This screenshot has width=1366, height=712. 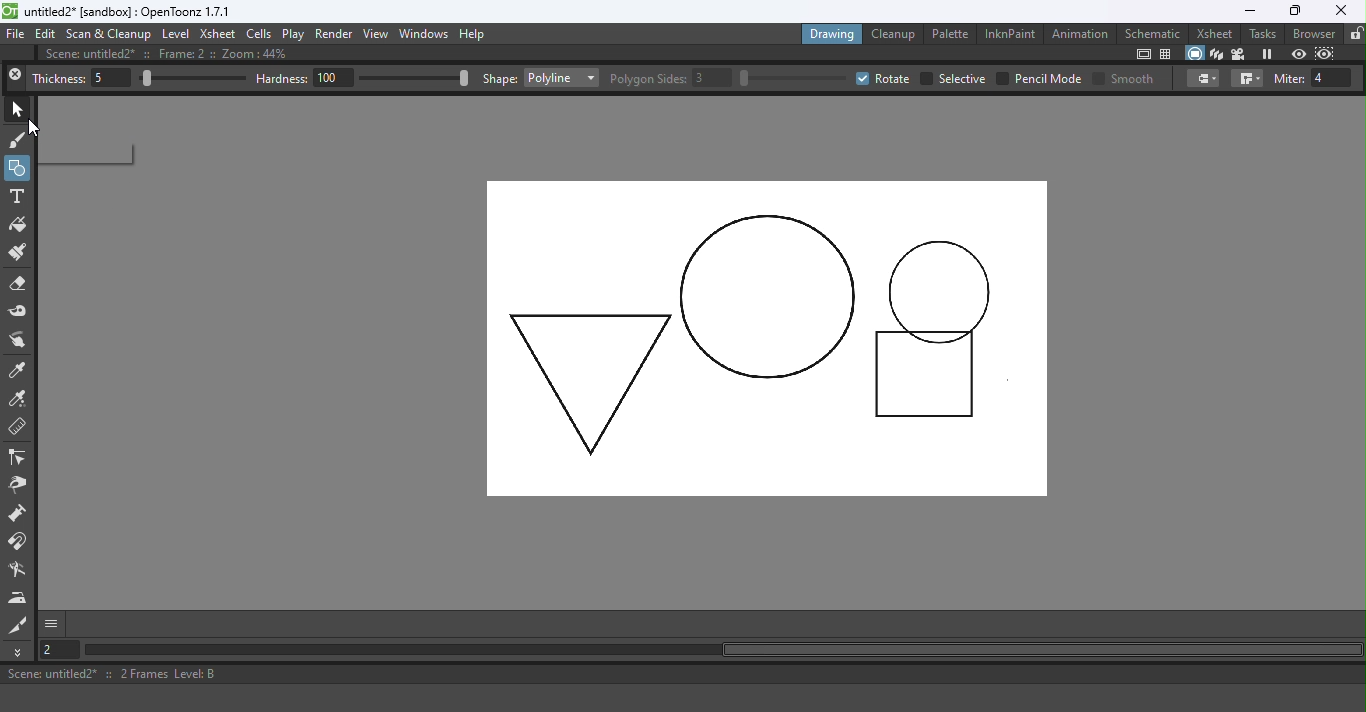 What do you see at coordinates (733, 651) in the screenshot?
I see `Horizontal scroll bar` at bounding box center [733, 651].